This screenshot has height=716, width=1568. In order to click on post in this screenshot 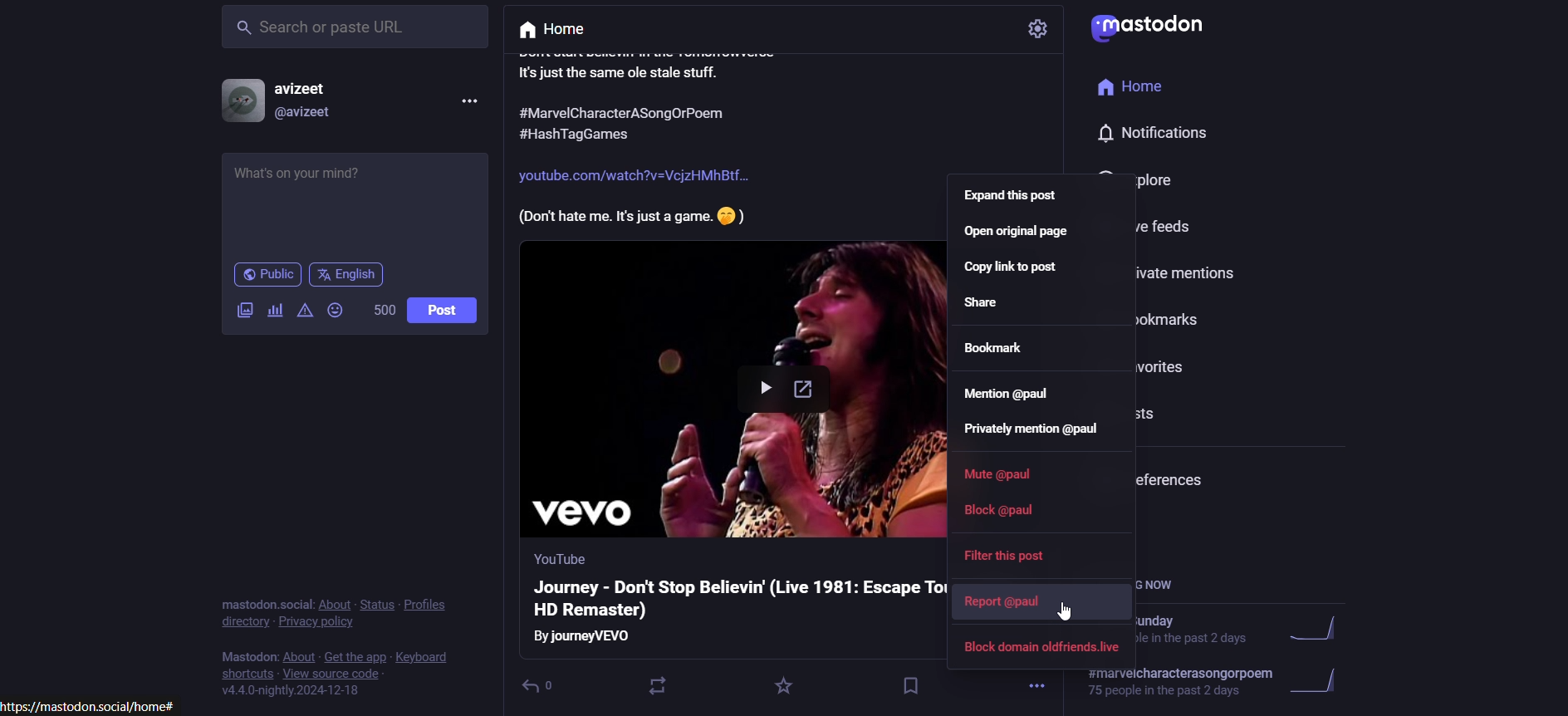, I will do `click(446, 312)`.